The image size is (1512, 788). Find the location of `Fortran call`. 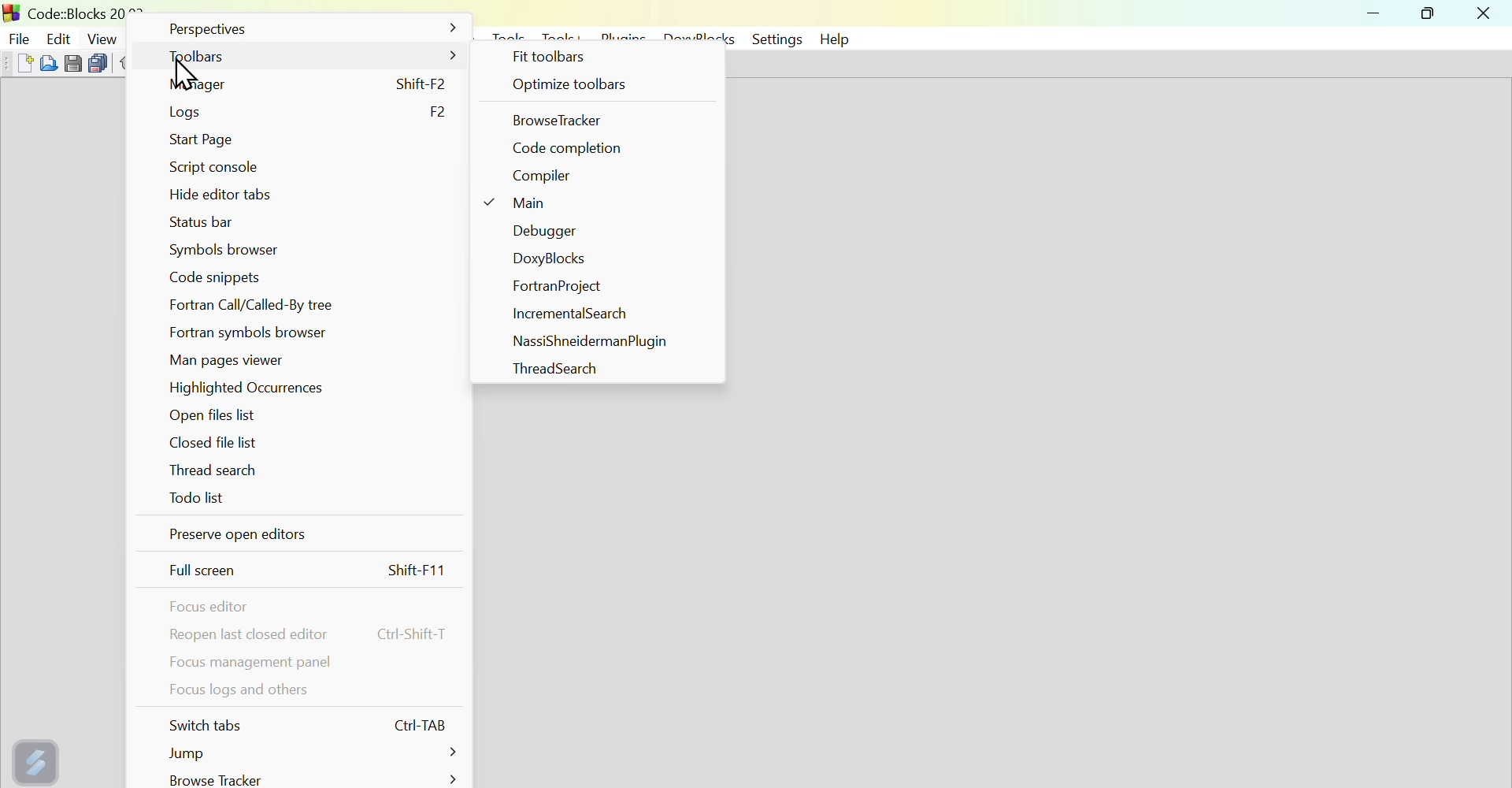

Fortran call is located at coordinates (263, 305).